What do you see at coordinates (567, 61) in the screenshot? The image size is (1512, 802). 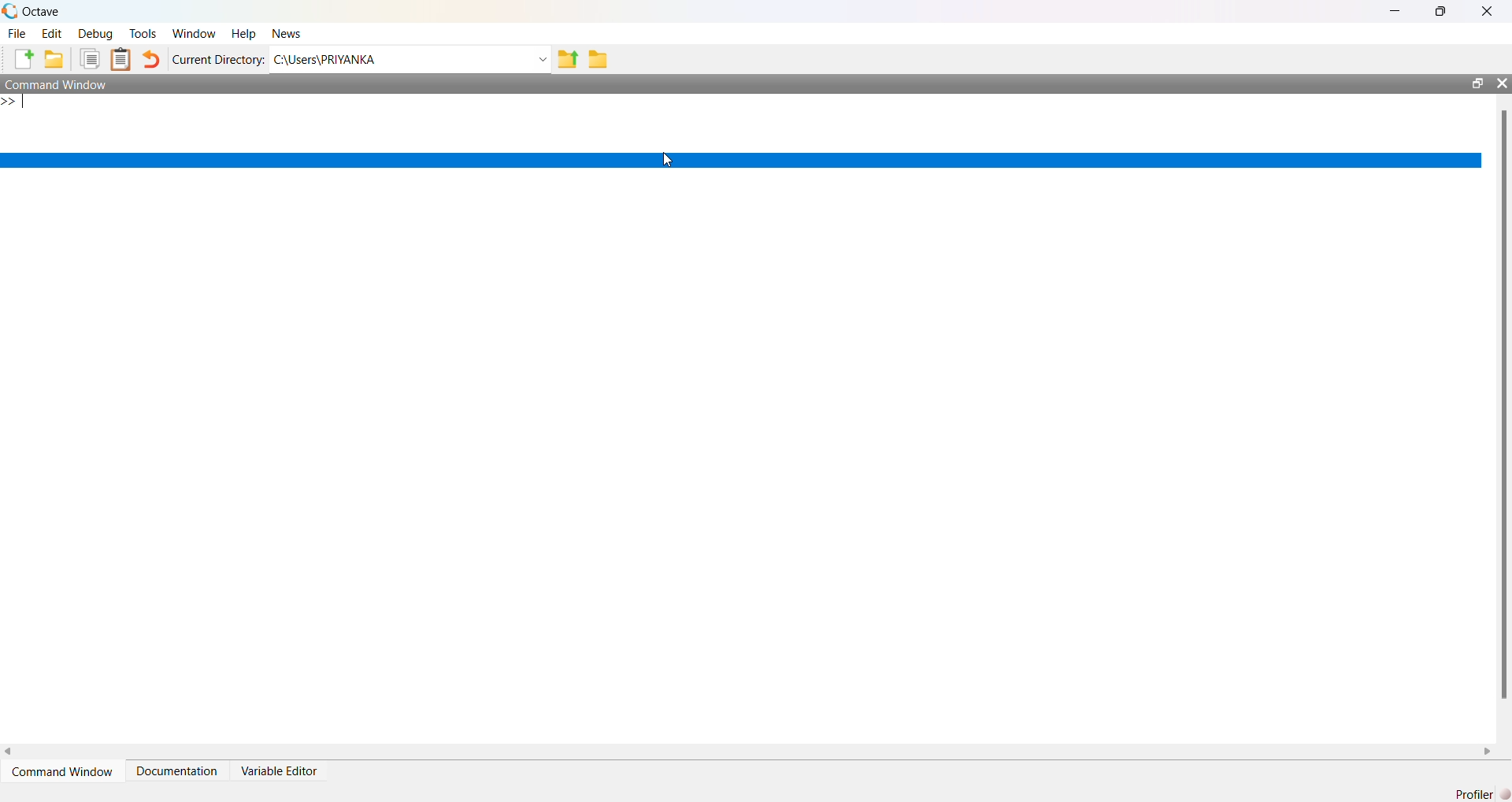 I see `previous folder` at bounding box center [567, 61].